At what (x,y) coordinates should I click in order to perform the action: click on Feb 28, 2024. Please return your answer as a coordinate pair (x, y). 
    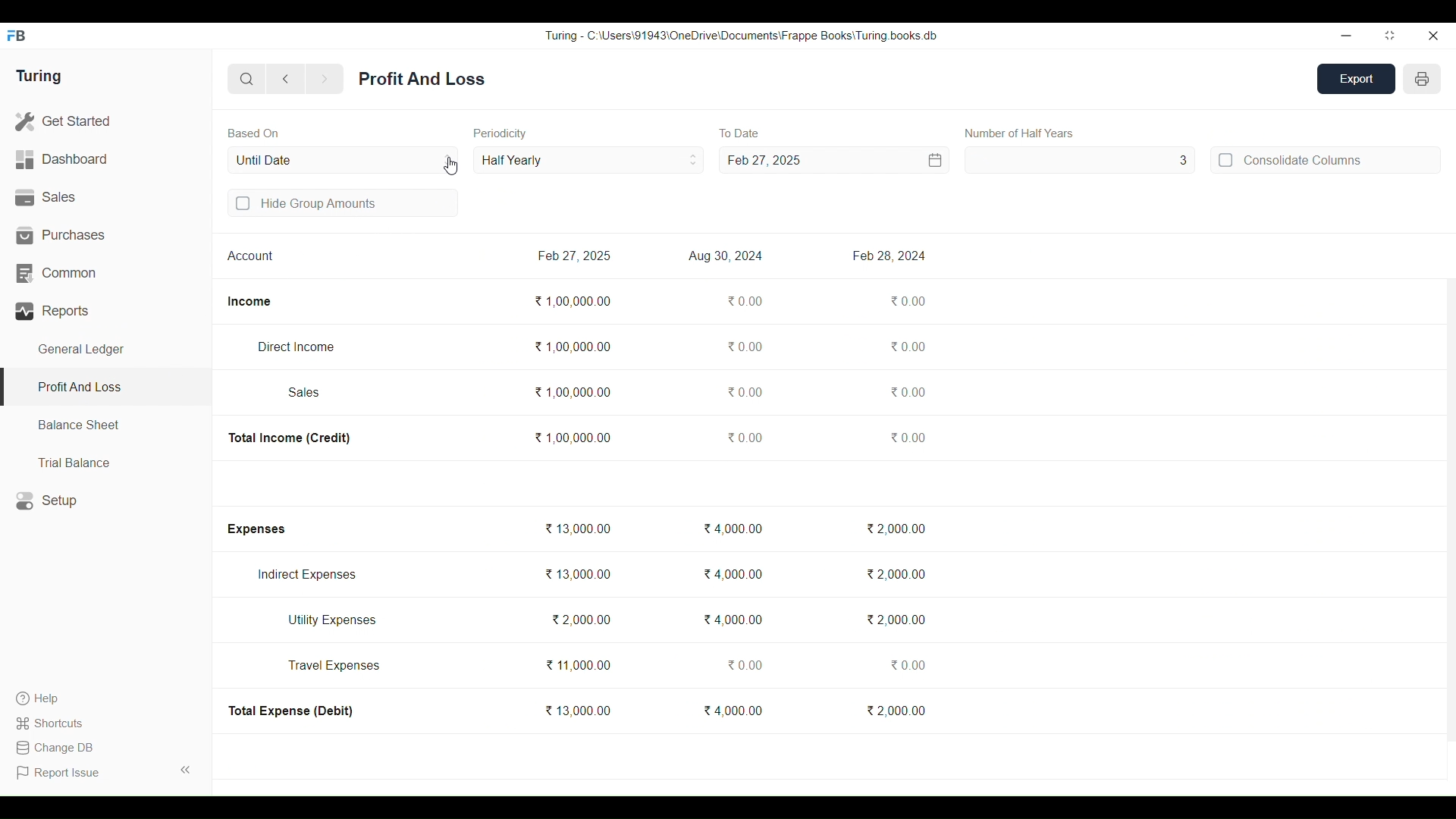
    Looking at the image, I should click on (888, 256).